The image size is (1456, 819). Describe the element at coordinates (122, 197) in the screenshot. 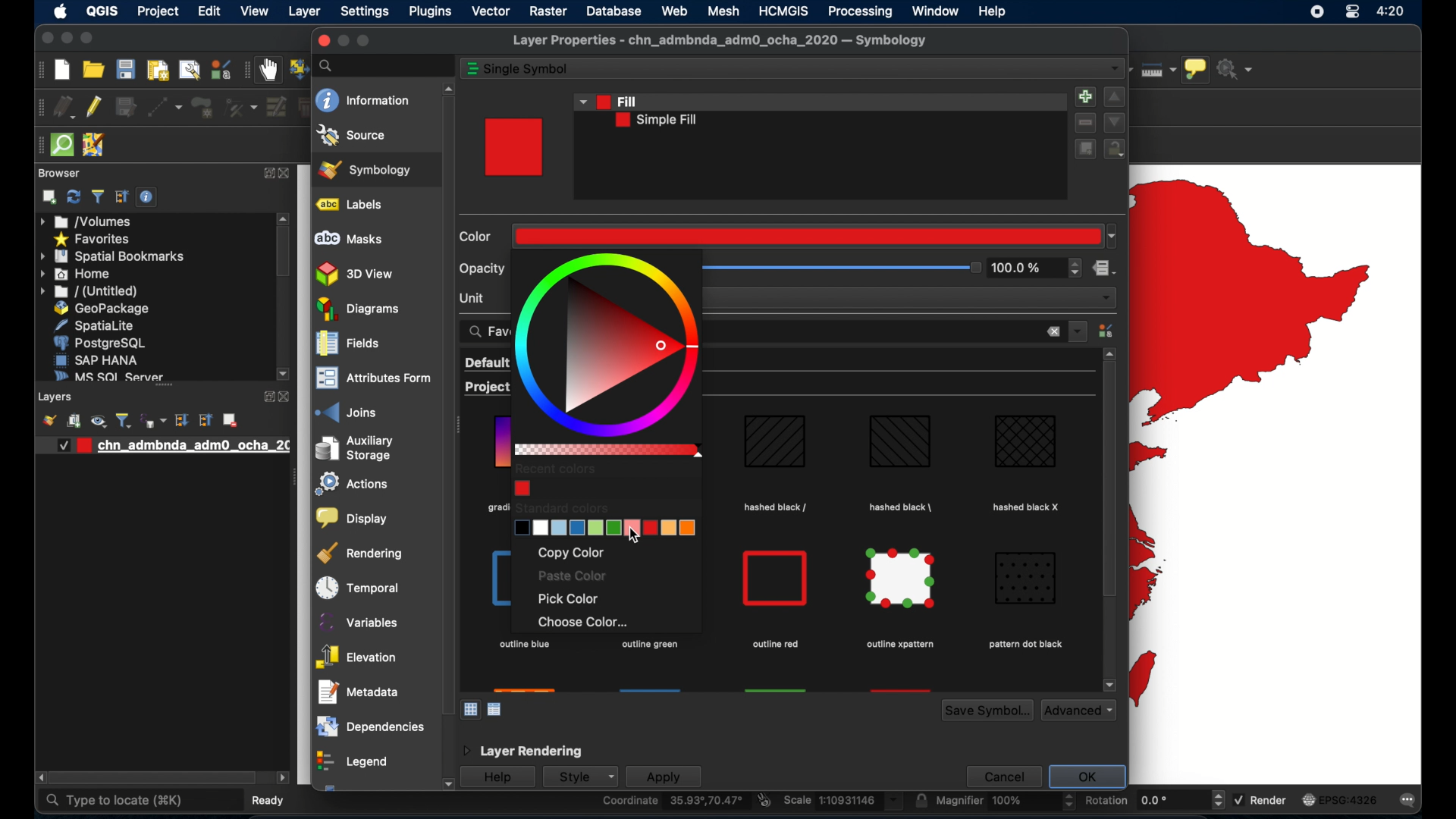

I see `collapse all` at that location.